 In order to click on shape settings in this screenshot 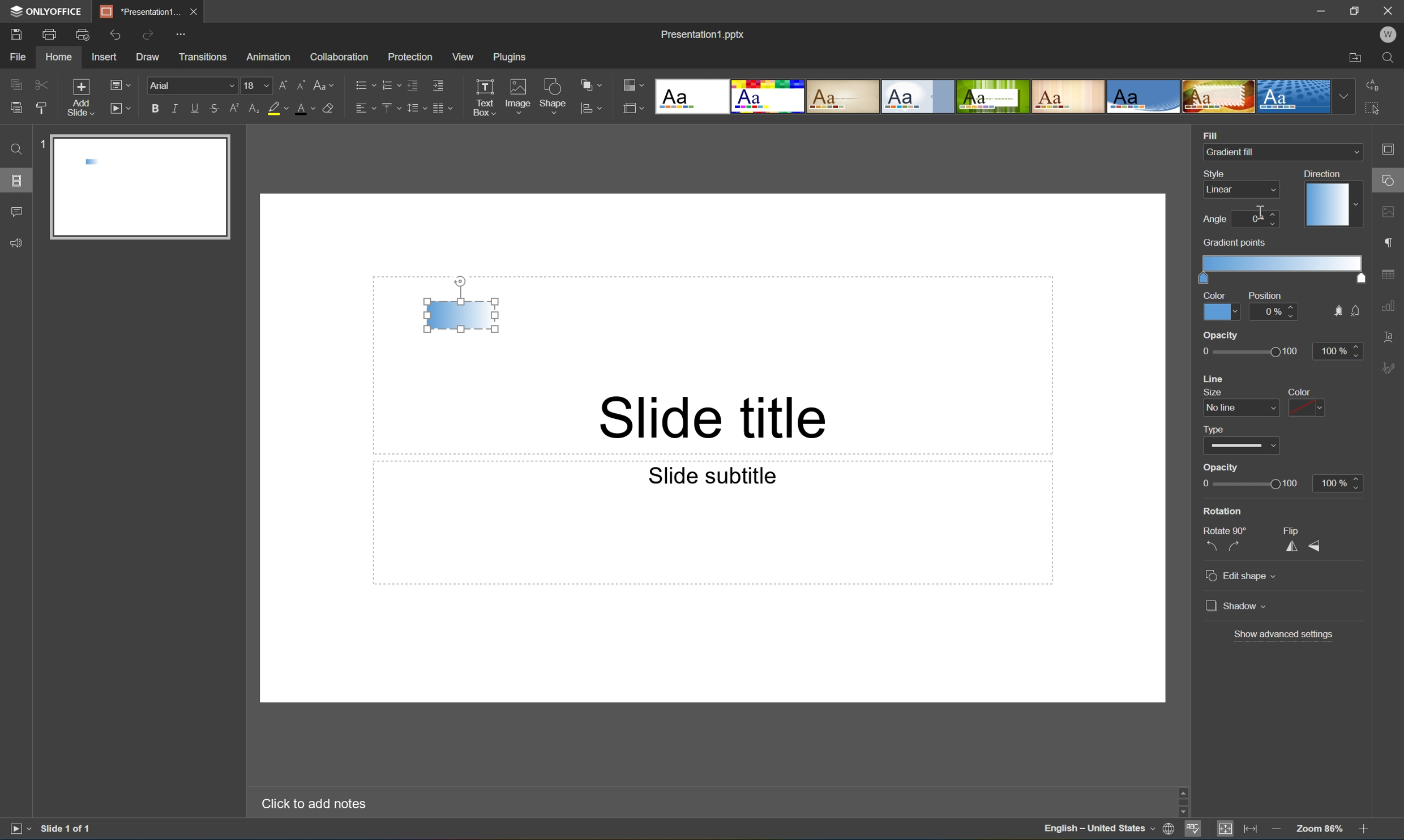, I will do `click(1390, 181)`.